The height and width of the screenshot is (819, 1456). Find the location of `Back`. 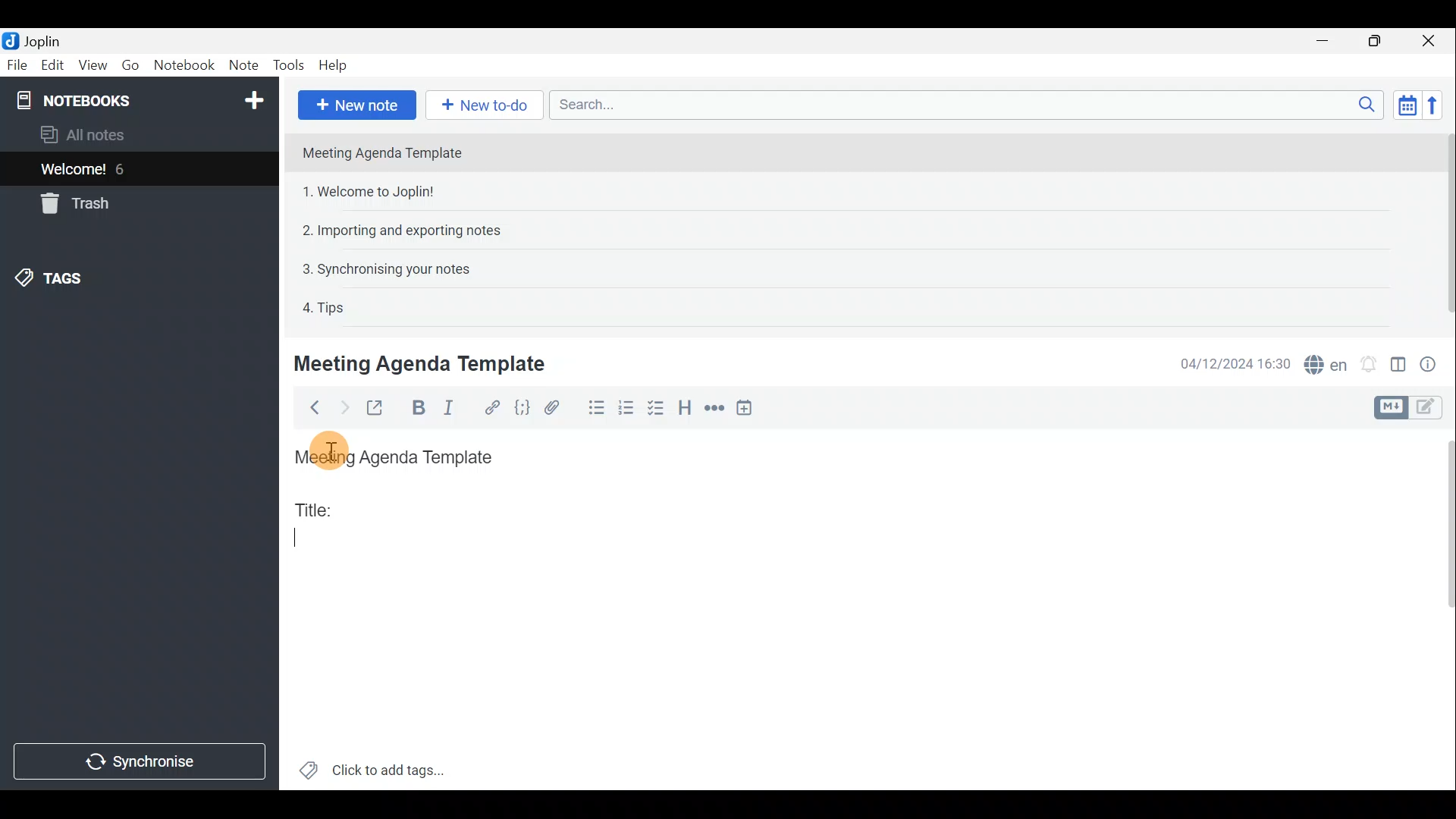

Back is located at coordinates (310, 410).